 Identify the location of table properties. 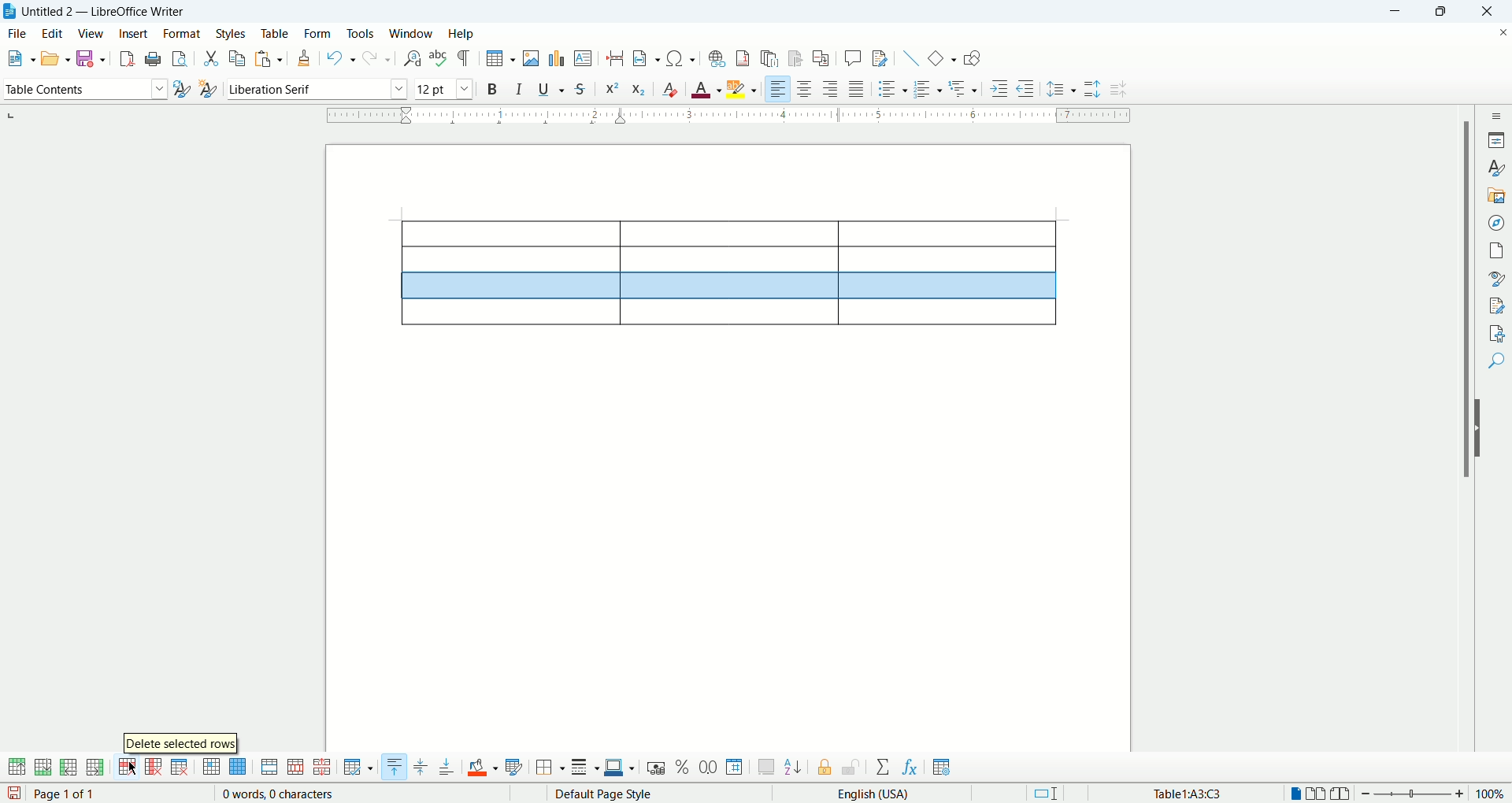
(940, 767).